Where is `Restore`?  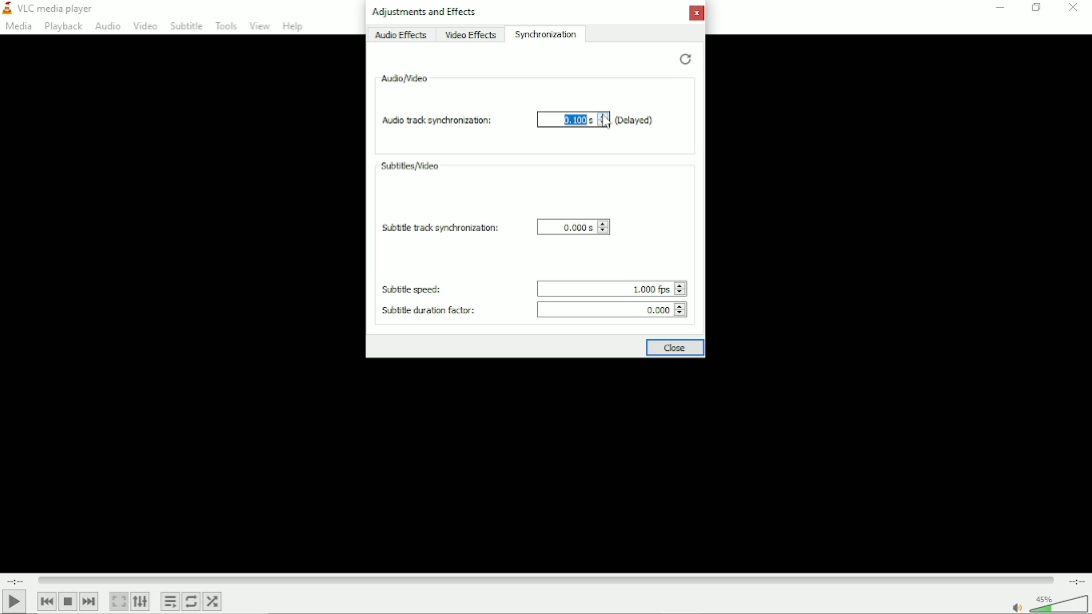 Restore is located at coordinates (685, 57).